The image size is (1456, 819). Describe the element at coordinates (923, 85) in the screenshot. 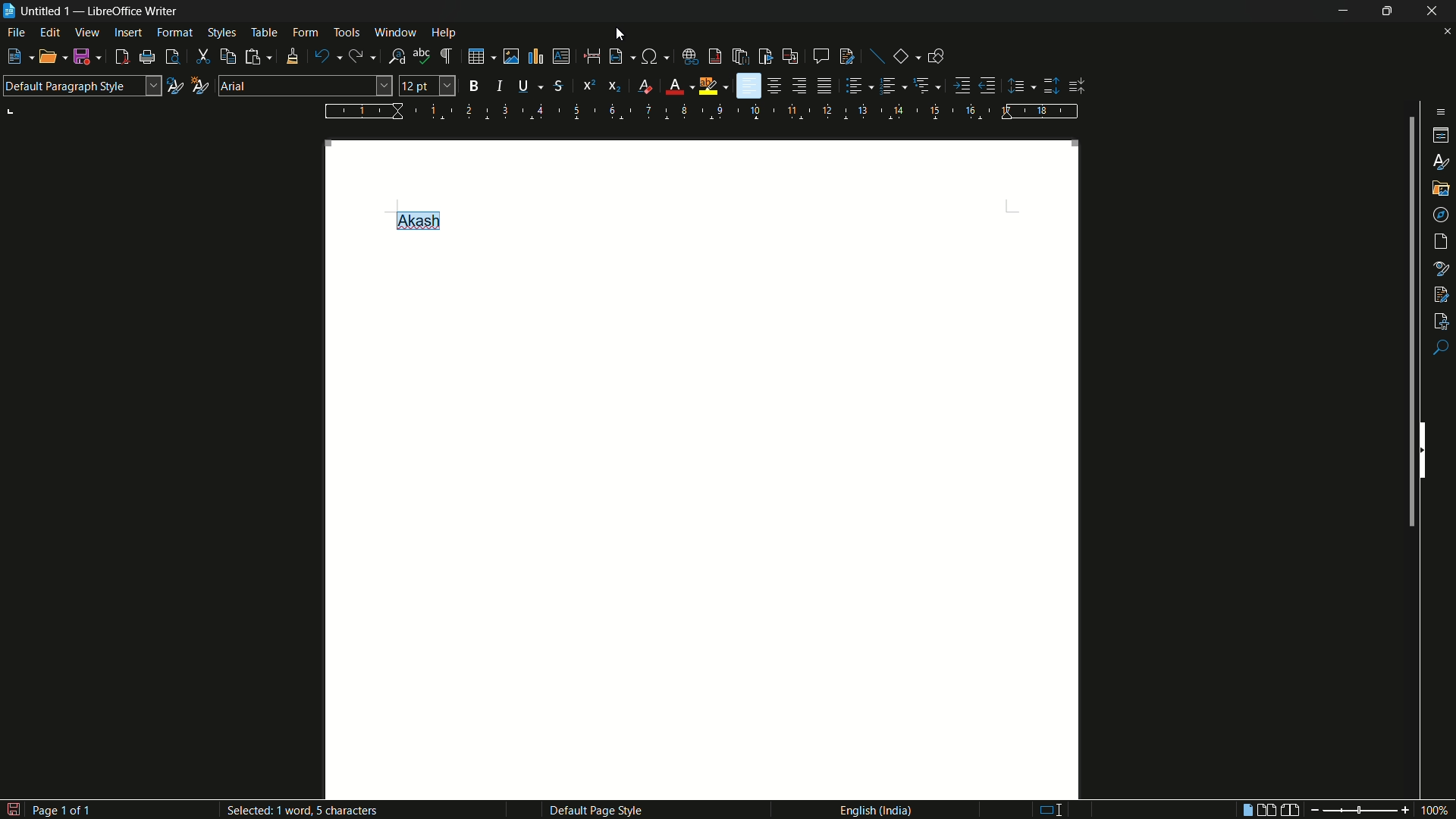

I see `select outline format` at that location.